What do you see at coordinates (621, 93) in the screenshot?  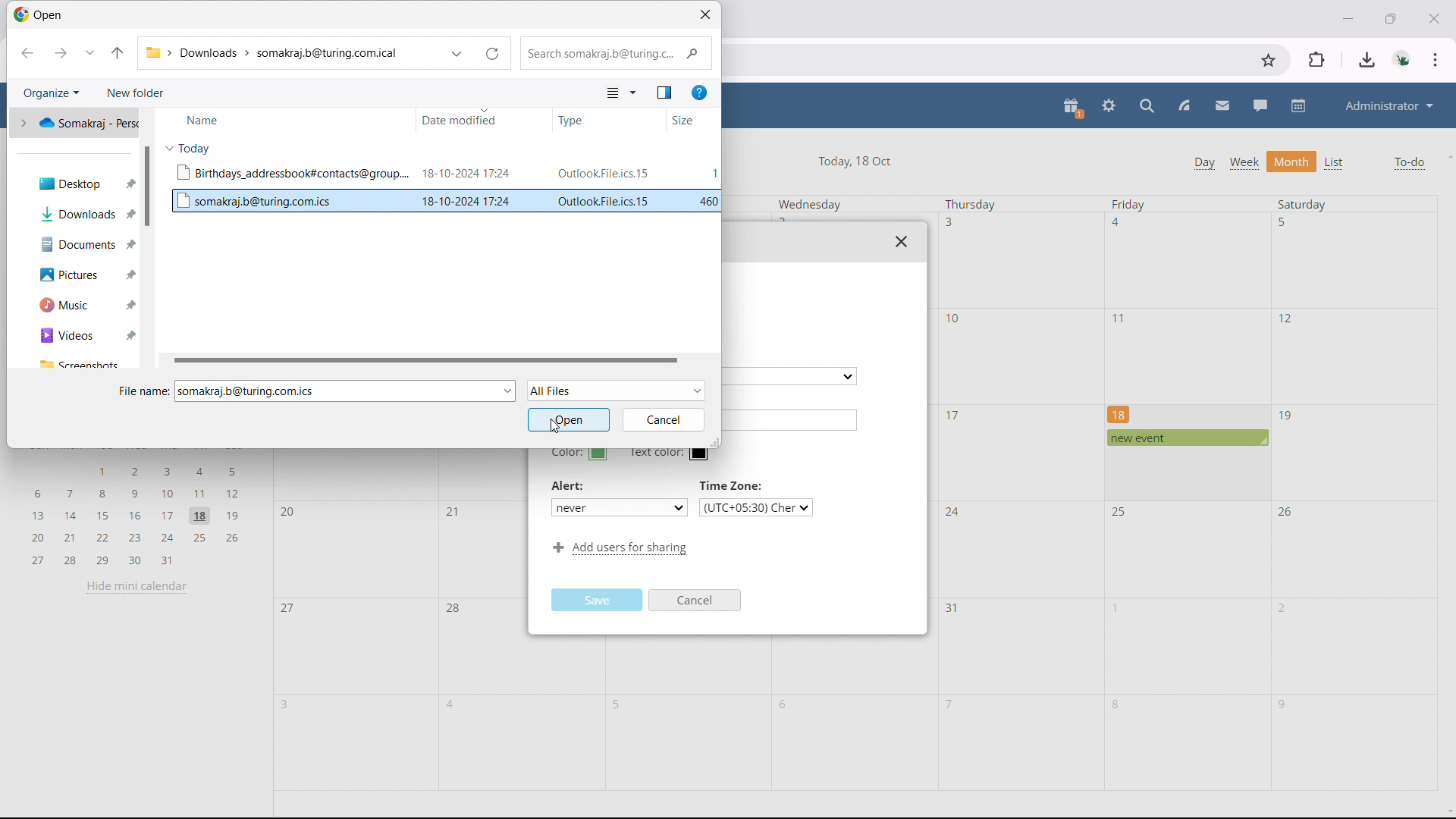 I see `change view` at bounding box center [621, 93].